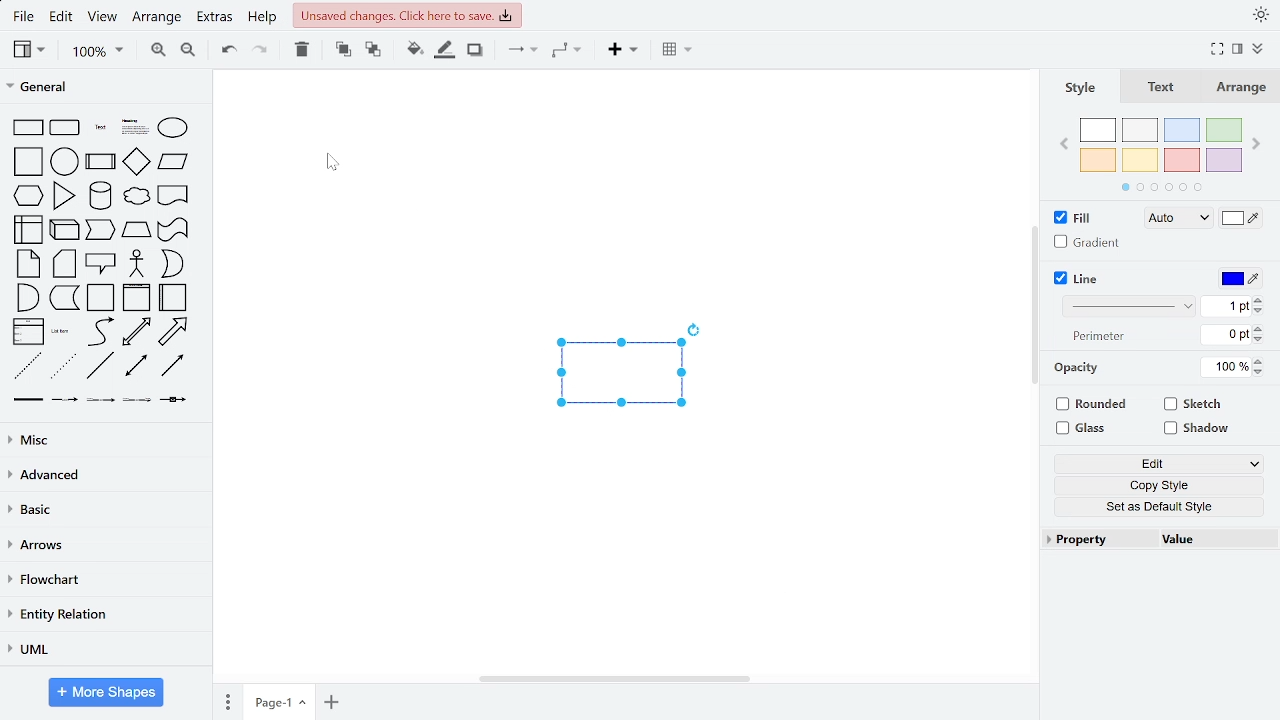 The image size is (1280, 720). What do you see at coordinates (616, 679) in the screenshot?
I see `horizontal scrollbar` at bounding box center [616, 679].